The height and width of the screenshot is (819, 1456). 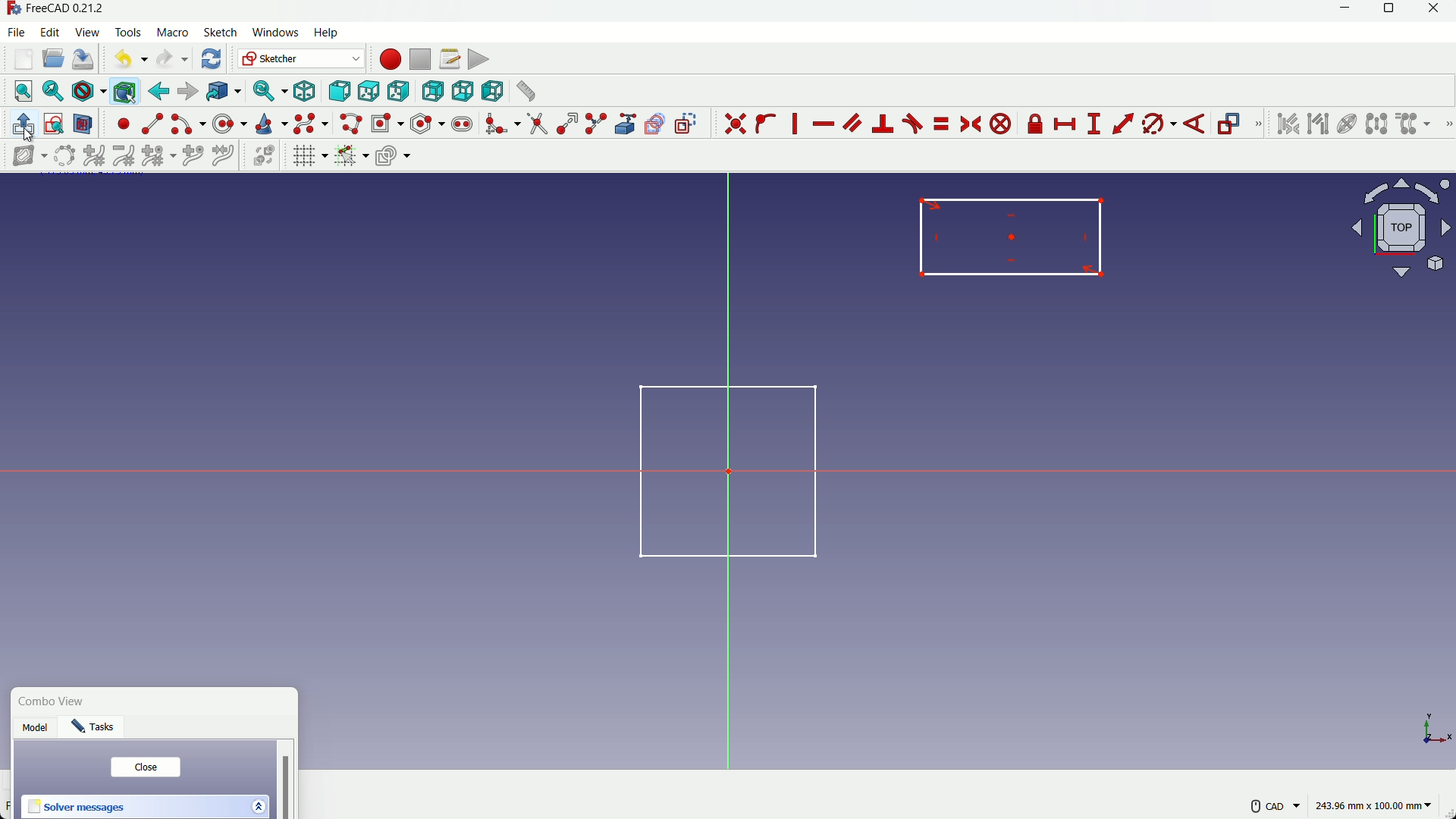 I want to click on tools menu, so click(x=129, y=33).